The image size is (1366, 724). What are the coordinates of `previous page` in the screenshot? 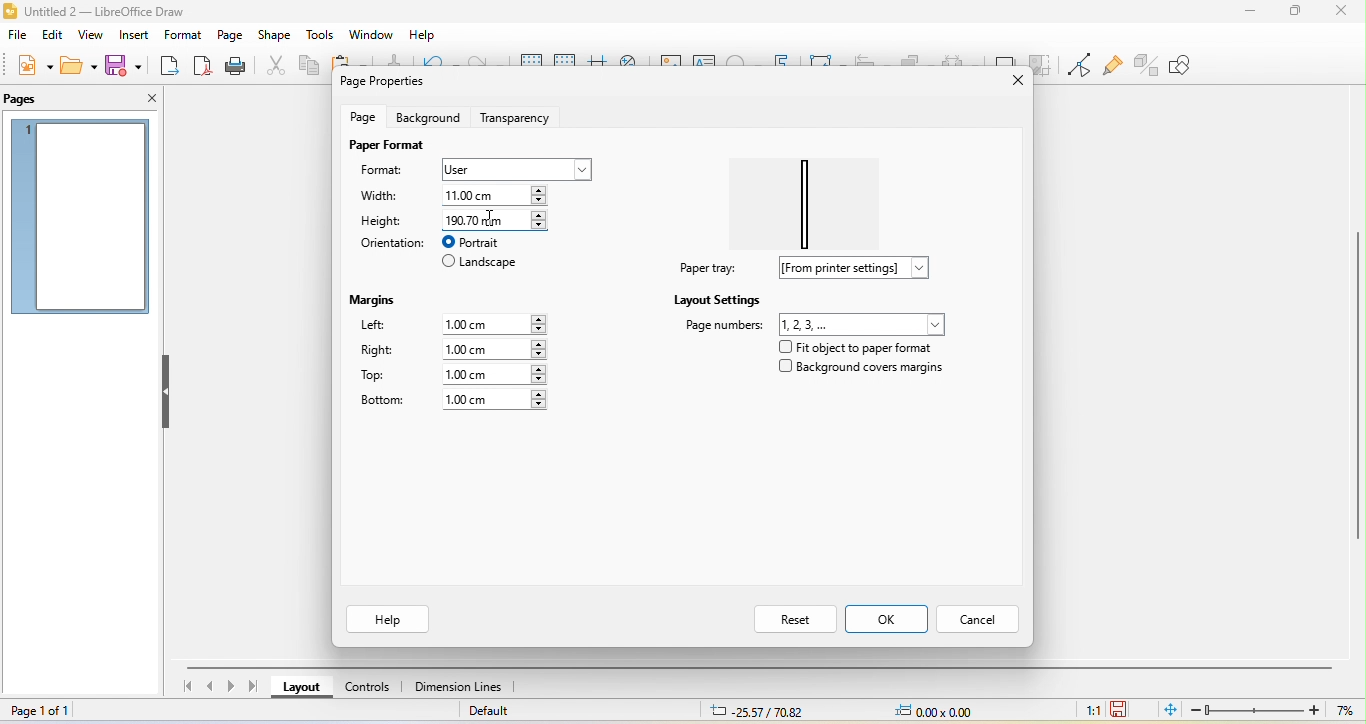 It's located at (210, 688).